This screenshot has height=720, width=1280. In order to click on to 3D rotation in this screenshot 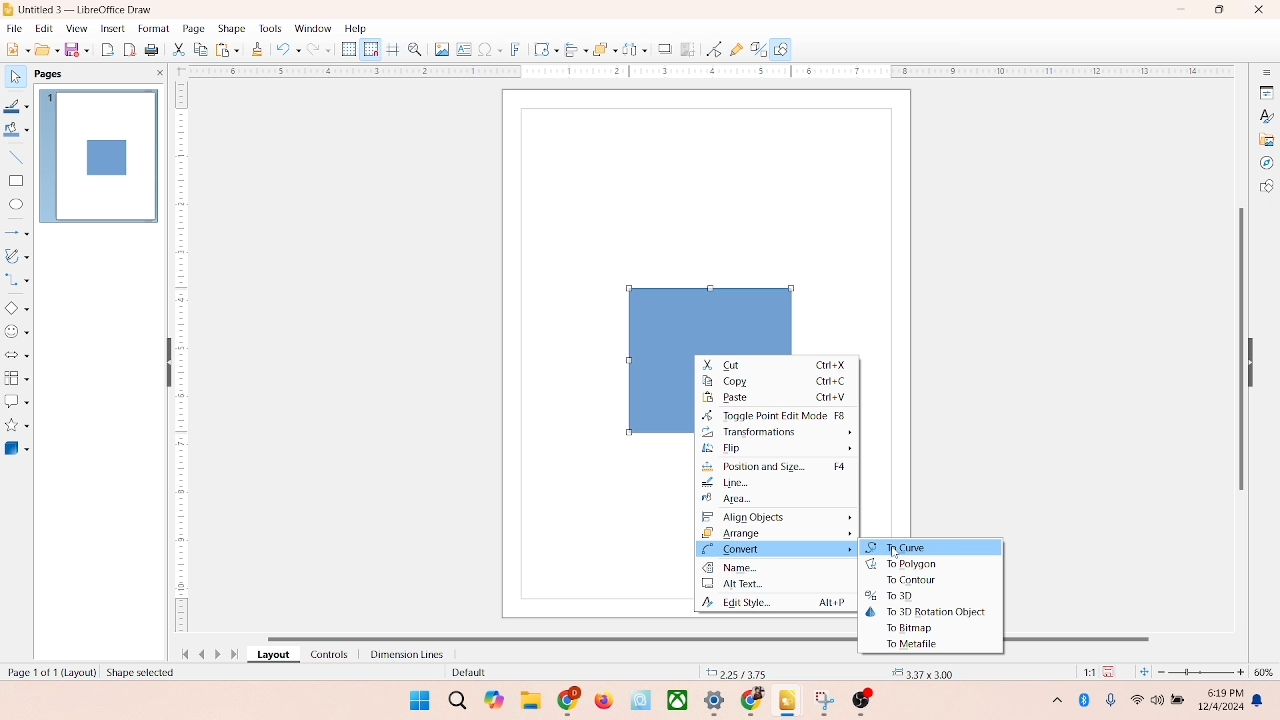, I will do `click(927, 610)`.